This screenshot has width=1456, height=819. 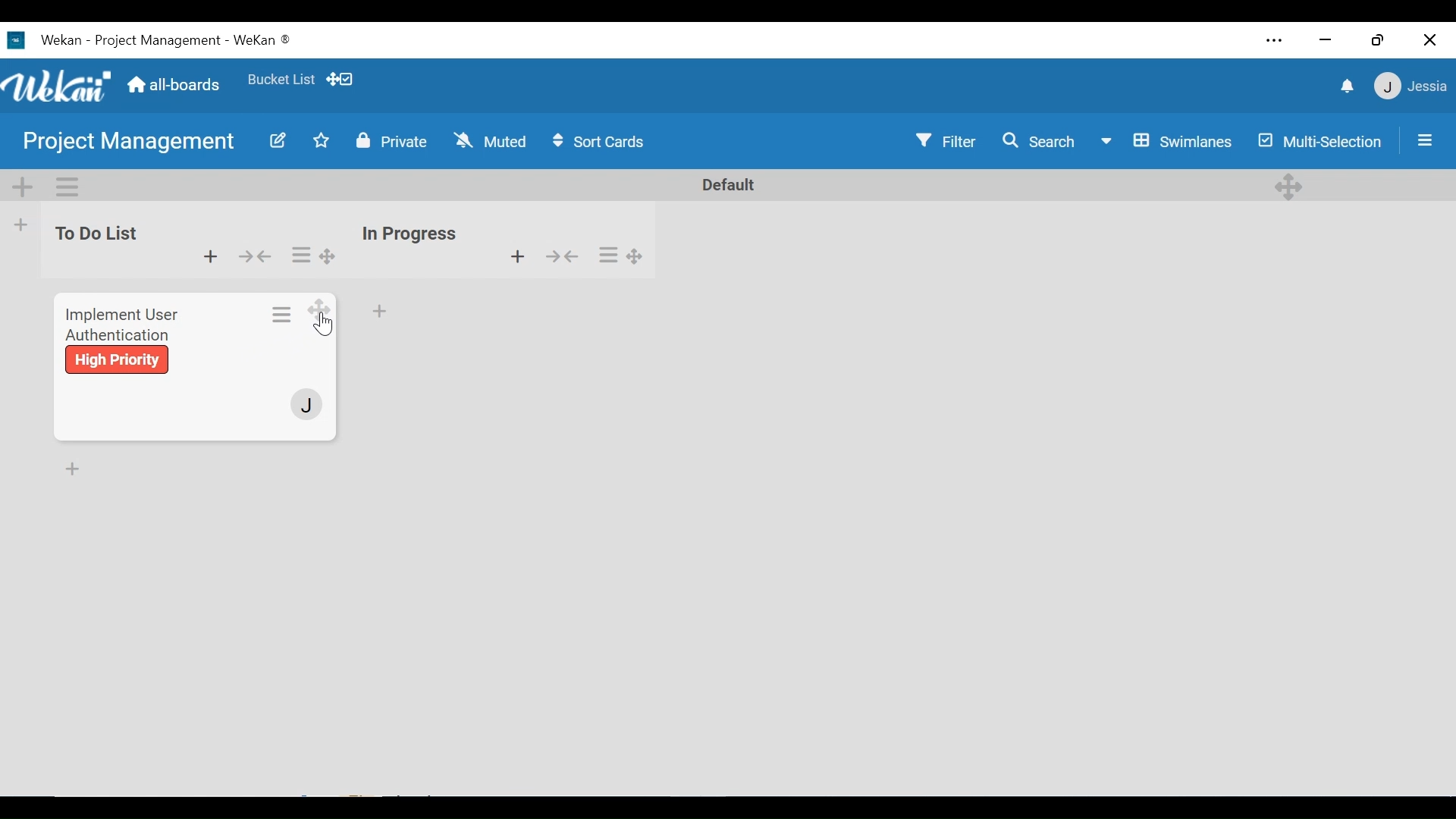 I want to click on notifications, so click(x=1344, y=88).